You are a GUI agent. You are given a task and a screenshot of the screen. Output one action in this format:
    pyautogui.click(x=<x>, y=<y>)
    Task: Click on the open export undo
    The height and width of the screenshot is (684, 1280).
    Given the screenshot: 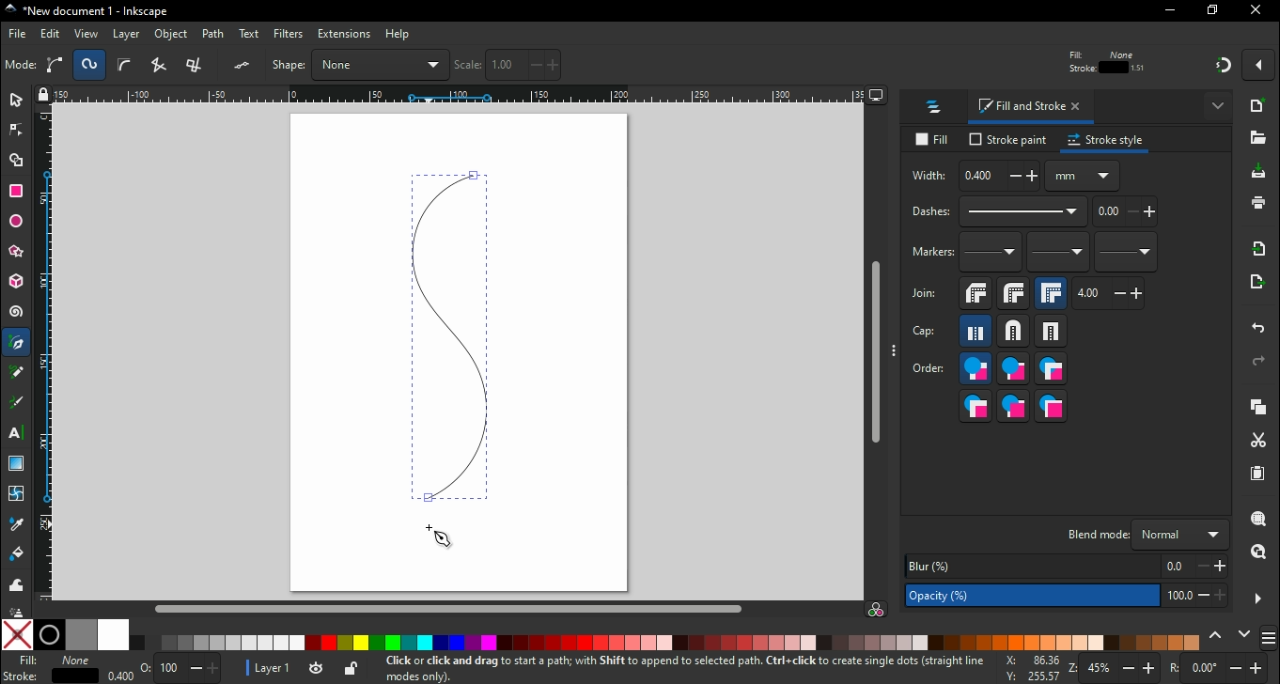 What is the action you would take?
    pyautogui.click(x=1258, y=287)
    